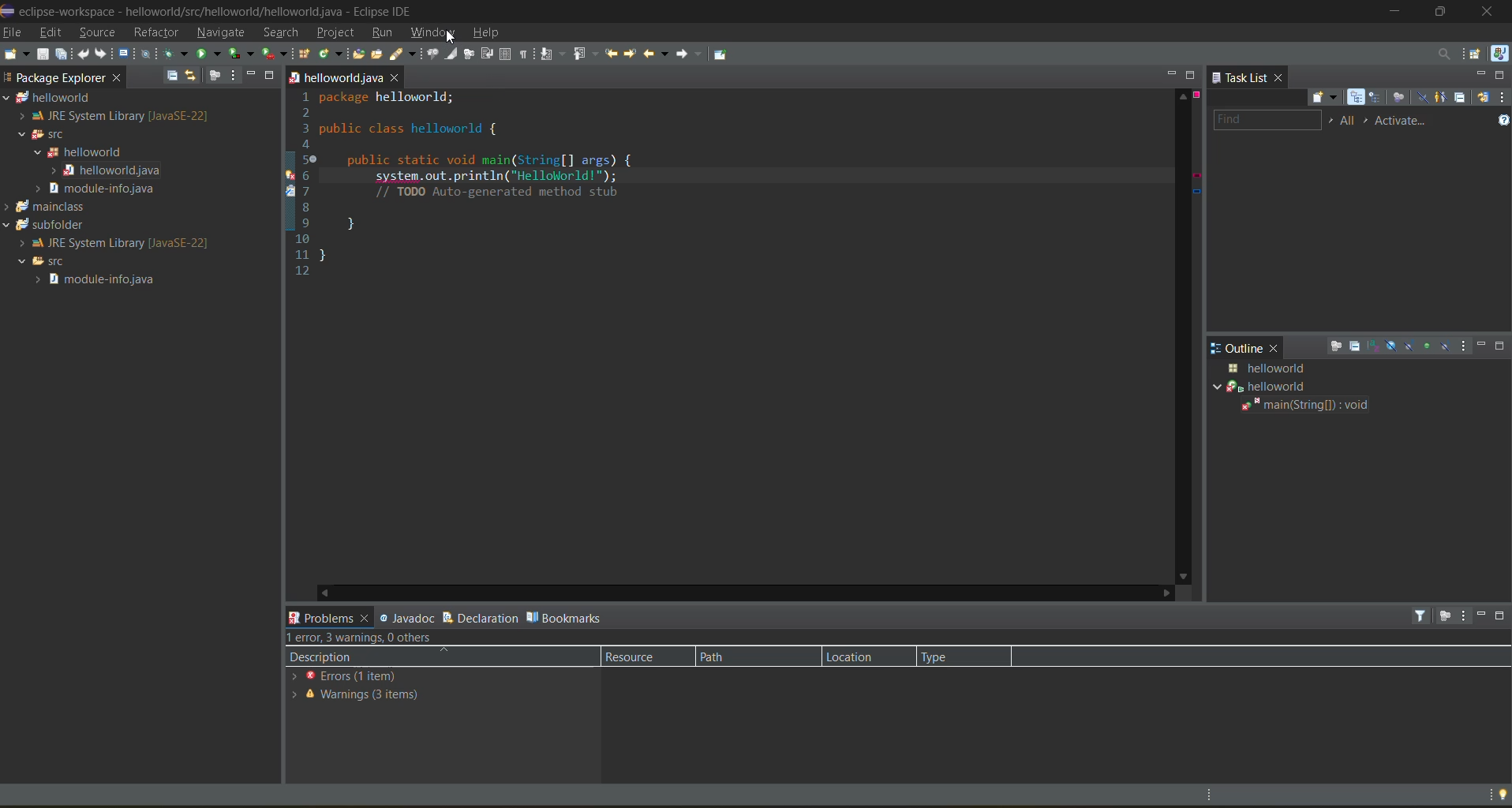 This screenshot has width=1512, height=808. I want to click on focus on active task, so click(217, 74).